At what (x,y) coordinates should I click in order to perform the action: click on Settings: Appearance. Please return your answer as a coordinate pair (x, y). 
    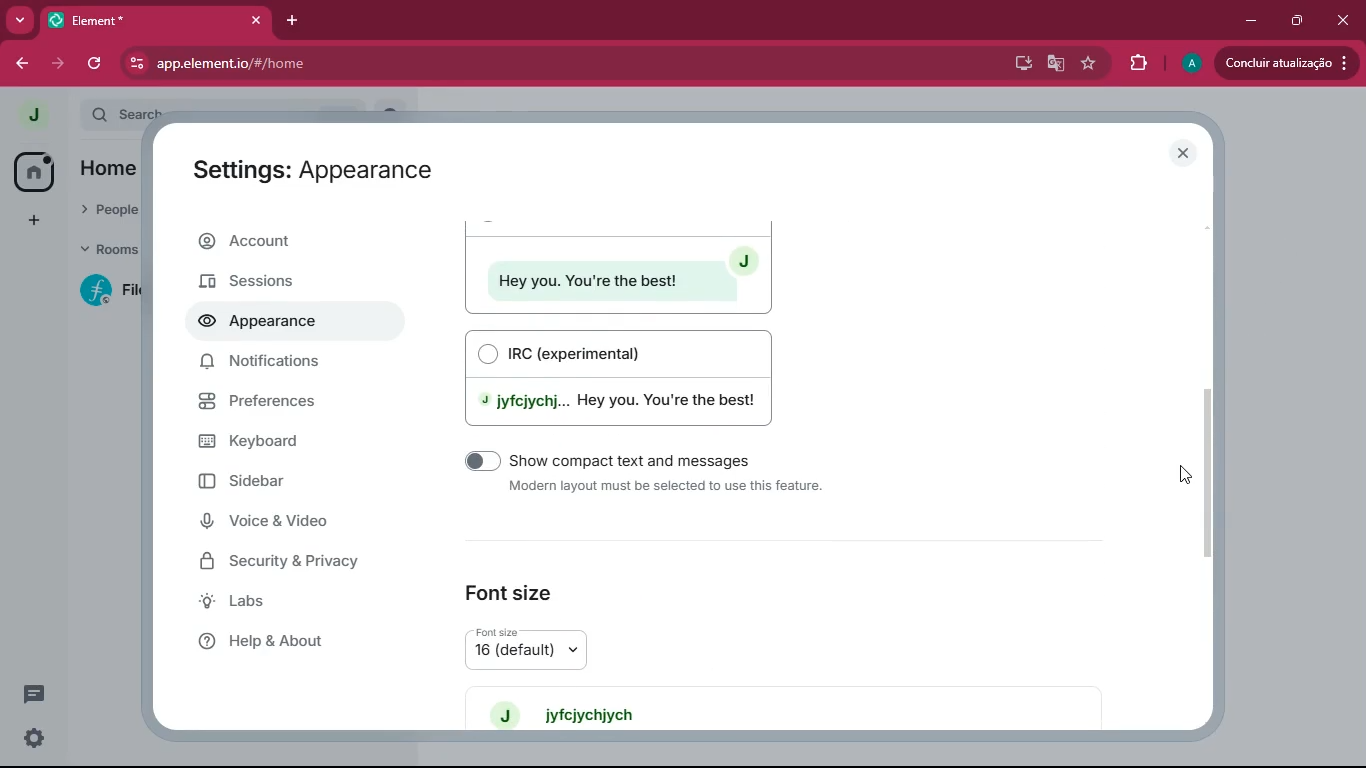
    Looking at the image, I should click on (309, 171).